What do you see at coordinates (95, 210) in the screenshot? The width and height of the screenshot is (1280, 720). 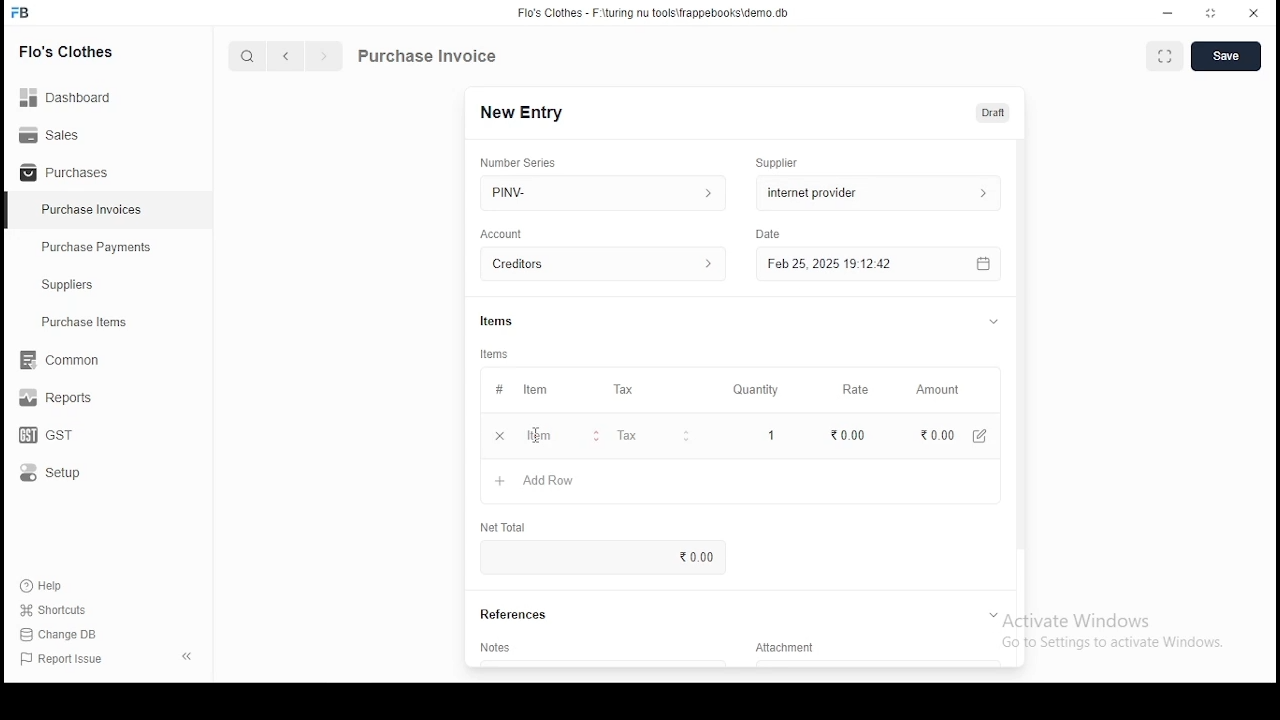 I see `Purchase Invoices` at bounding box center [95, 210].